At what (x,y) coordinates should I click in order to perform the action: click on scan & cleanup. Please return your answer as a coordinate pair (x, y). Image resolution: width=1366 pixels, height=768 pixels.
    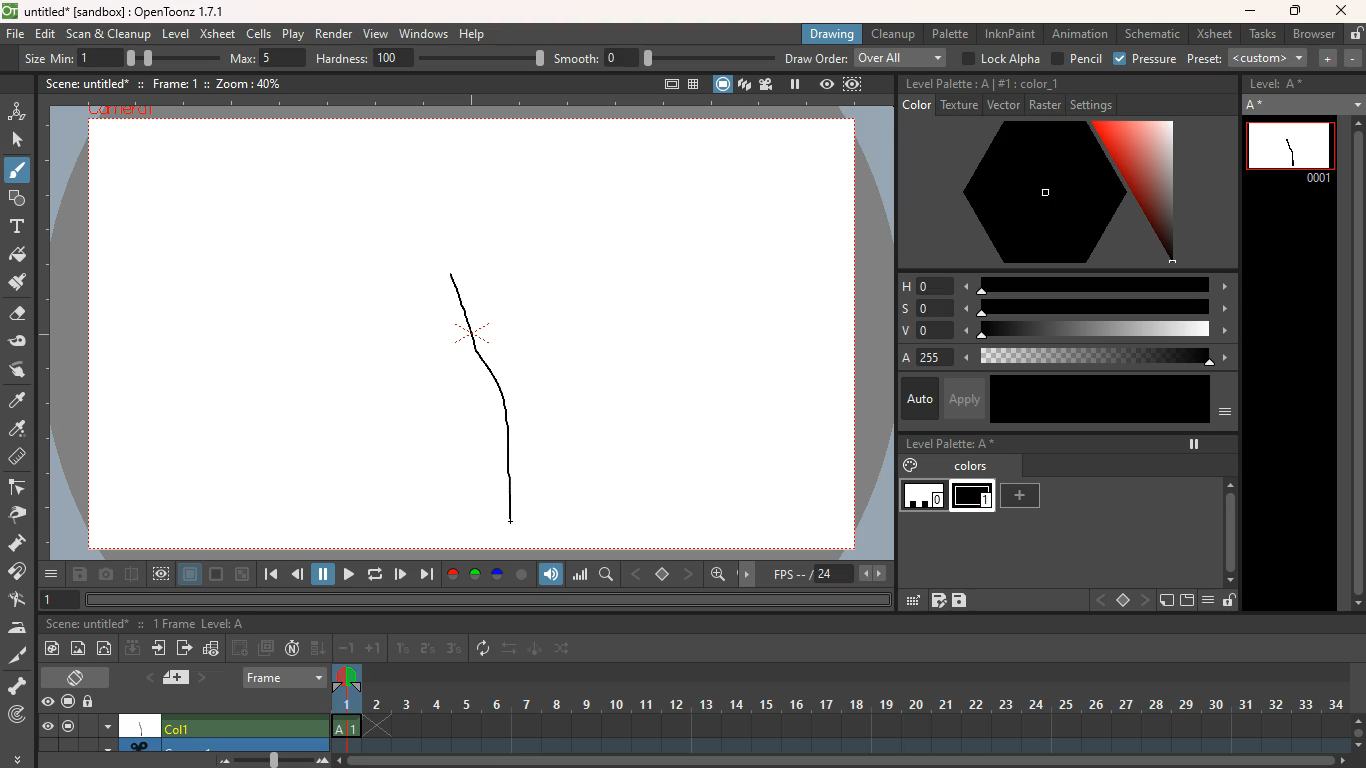
    Looking at the image, I should click on (110, 33).